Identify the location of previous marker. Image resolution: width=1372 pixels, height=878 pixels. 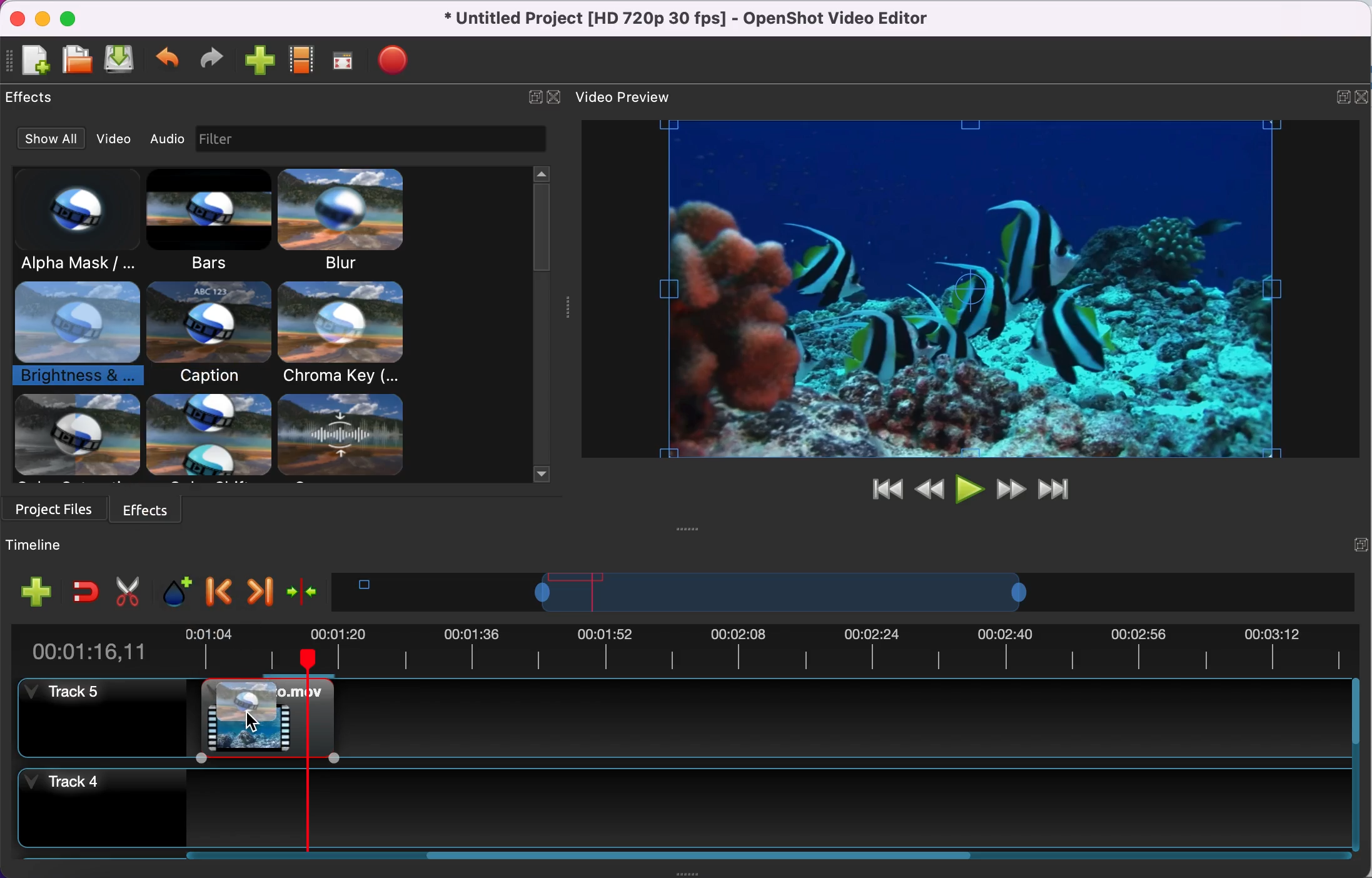
(218, 590).